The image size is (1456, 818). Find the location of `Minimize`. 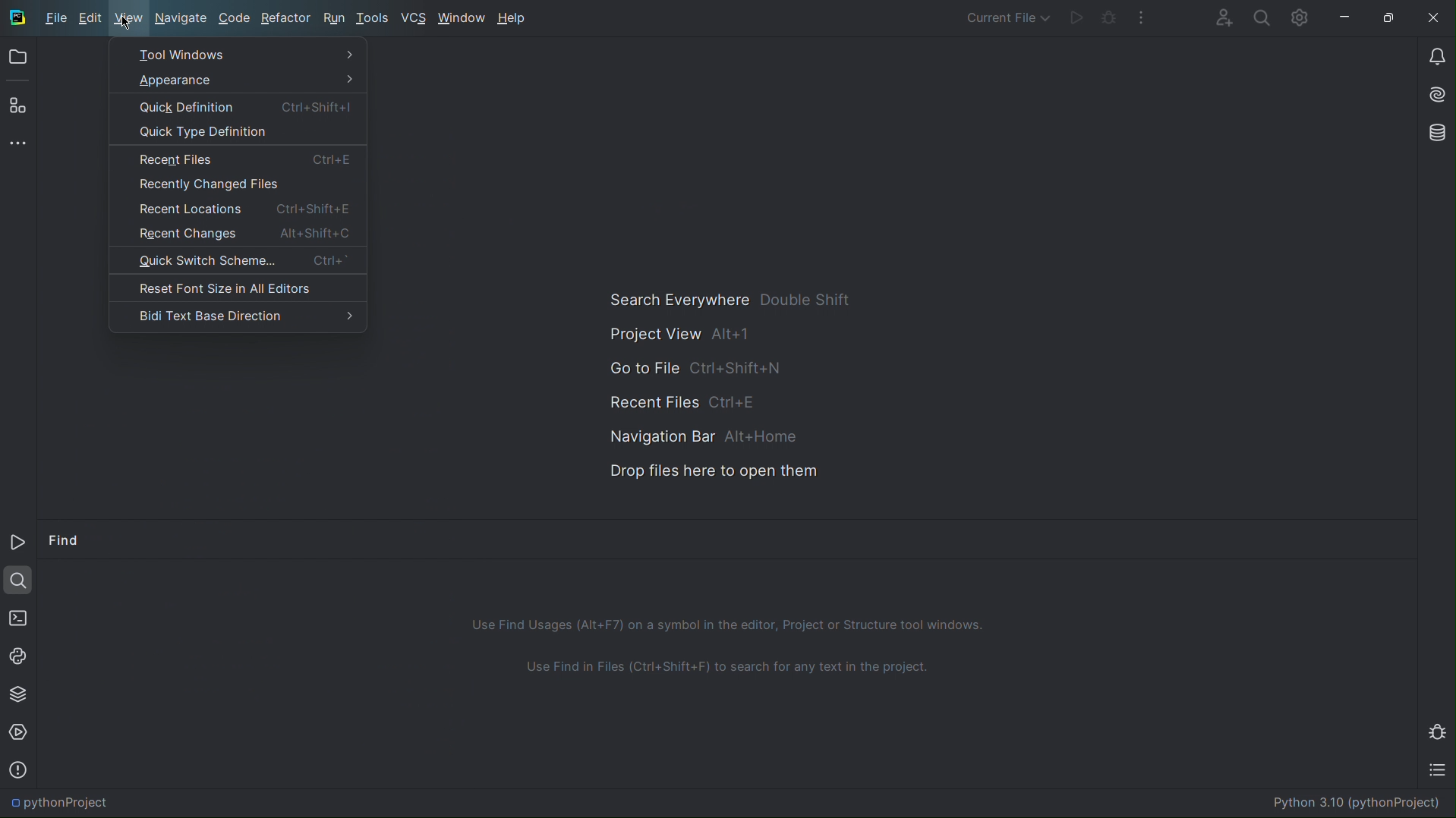

Minimize is located at coordinates (1346, 17).